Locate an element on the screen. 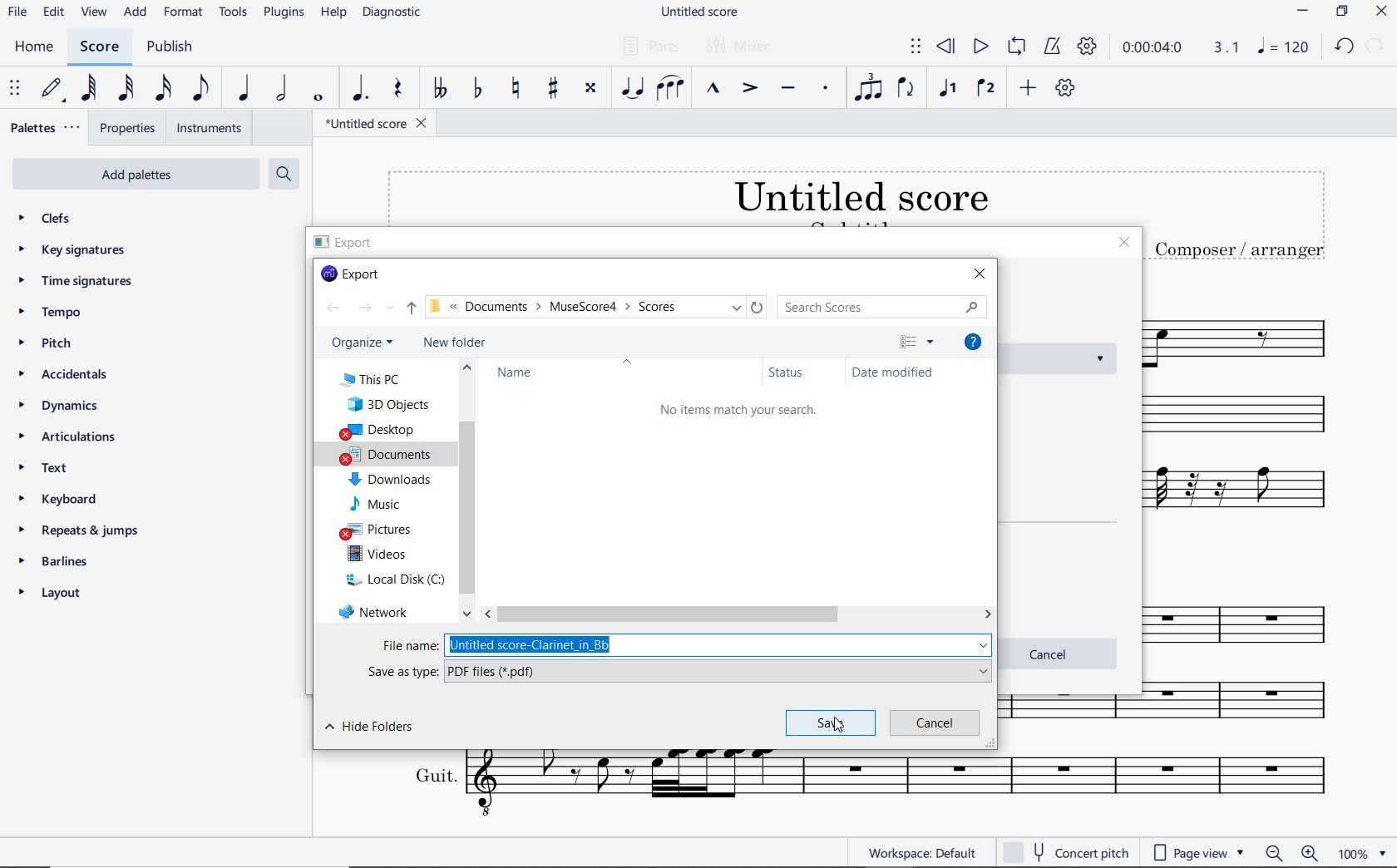 Image resolution: width=1397 pixels, height=868 pixels. TOGGLE DOUBLE-SHARP is located at coordinates (590, 91).